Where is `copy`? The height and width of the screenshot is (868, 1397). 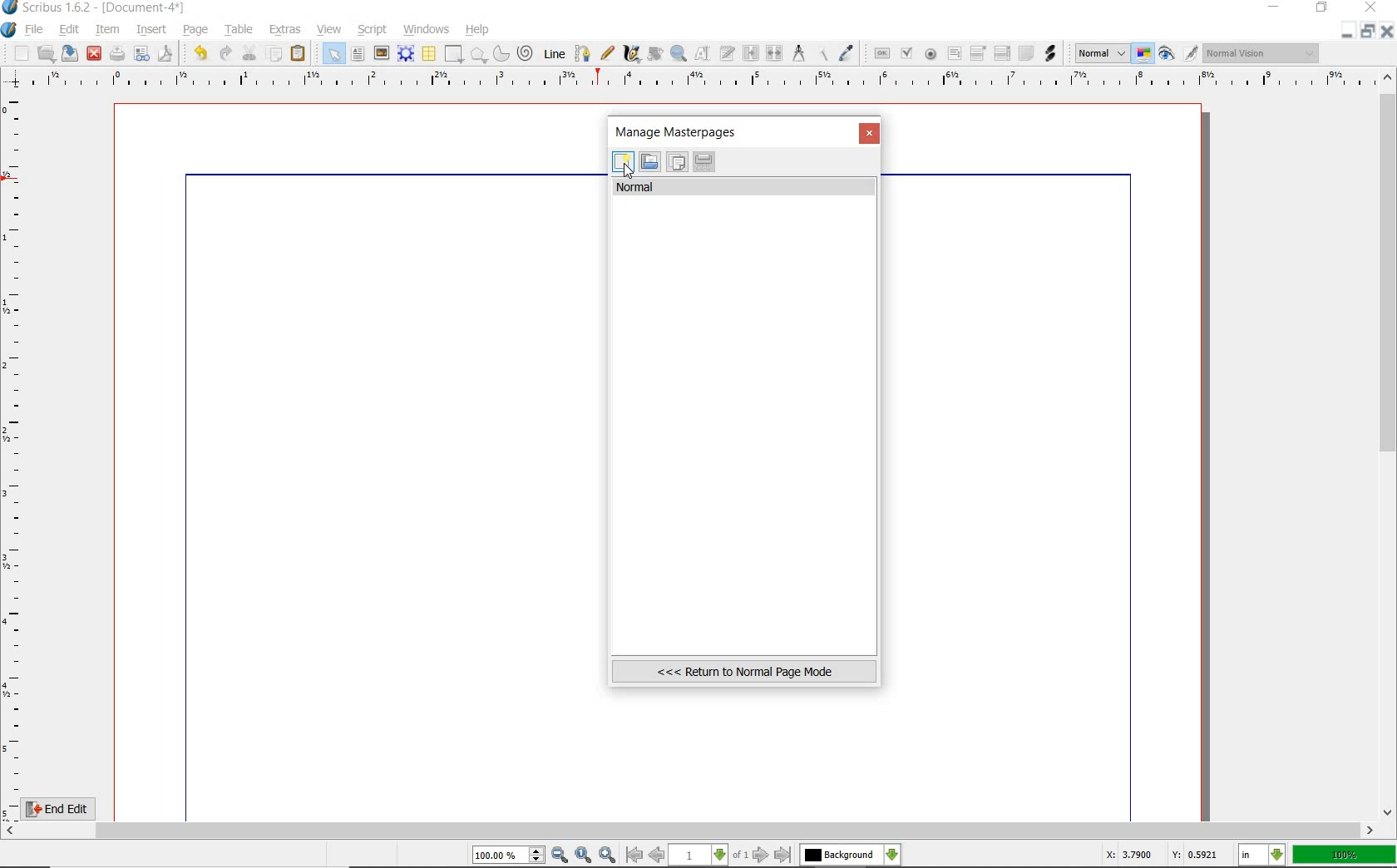
copy is located at coordinates (274, 52).